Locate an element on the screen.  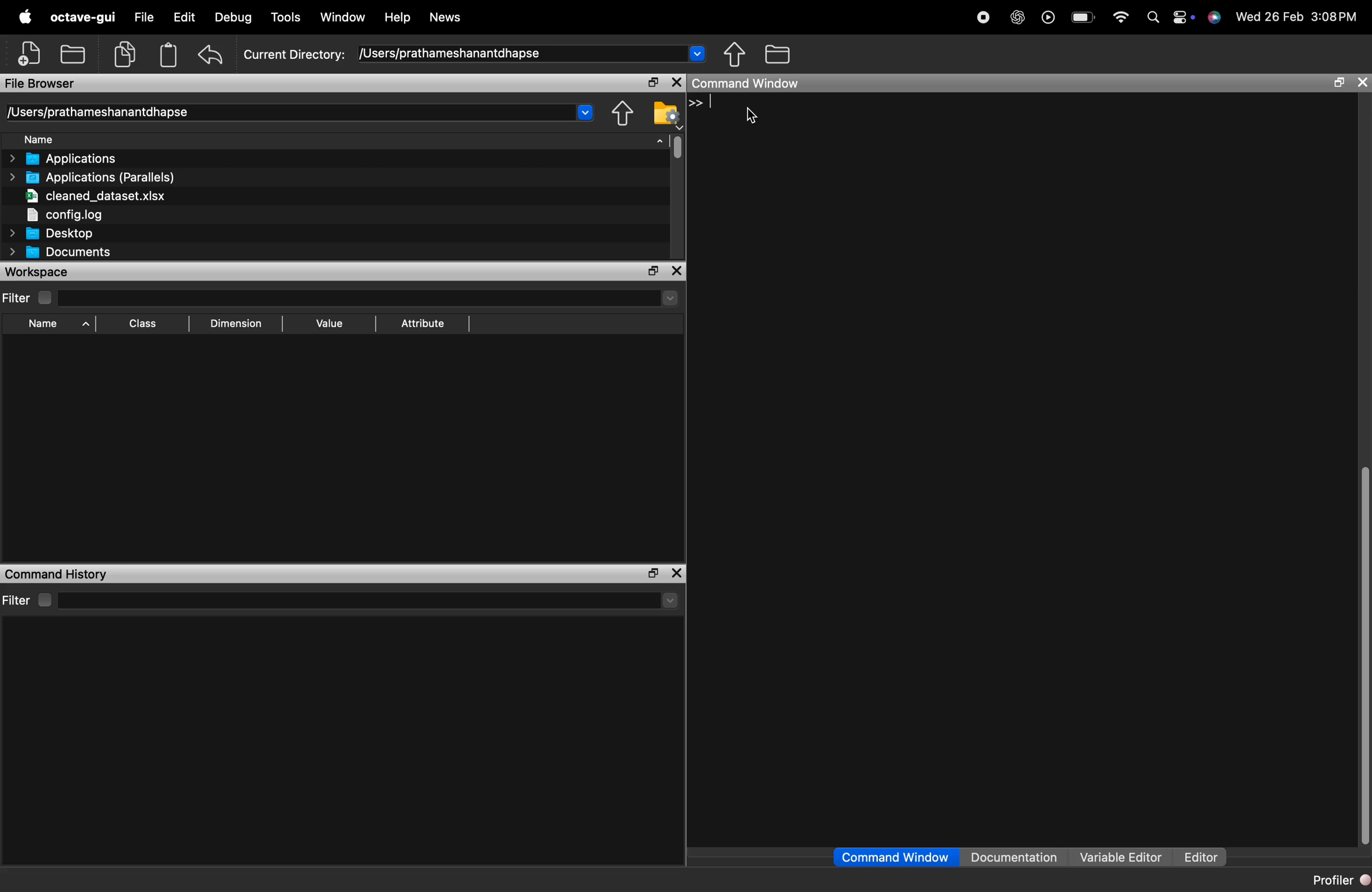
cleaned_dataset.xlsx is located at coordinates (97, 196).